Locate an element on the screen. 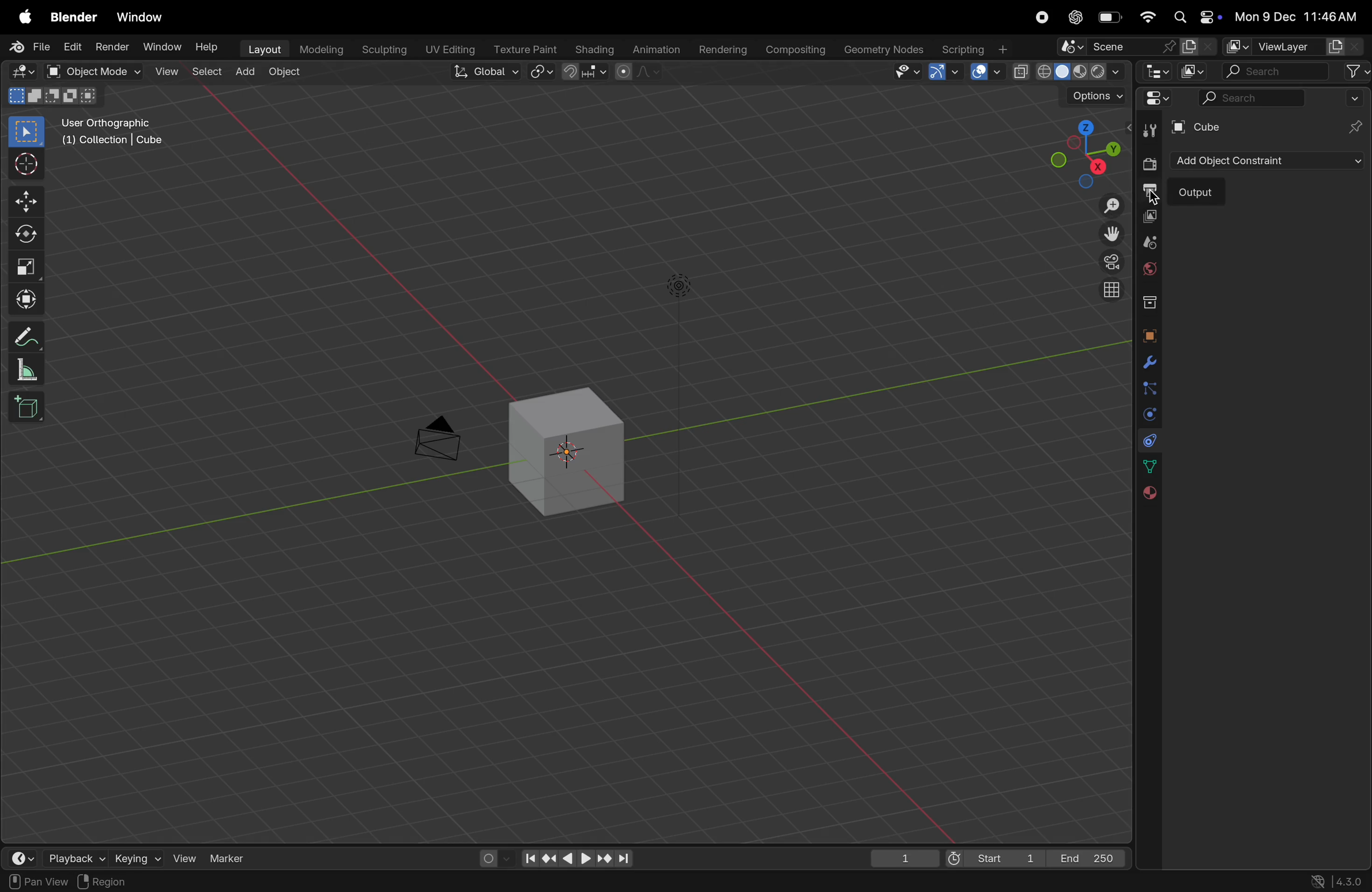 The image size is (1372, 892). 1 is located at coordinates (898, 857).